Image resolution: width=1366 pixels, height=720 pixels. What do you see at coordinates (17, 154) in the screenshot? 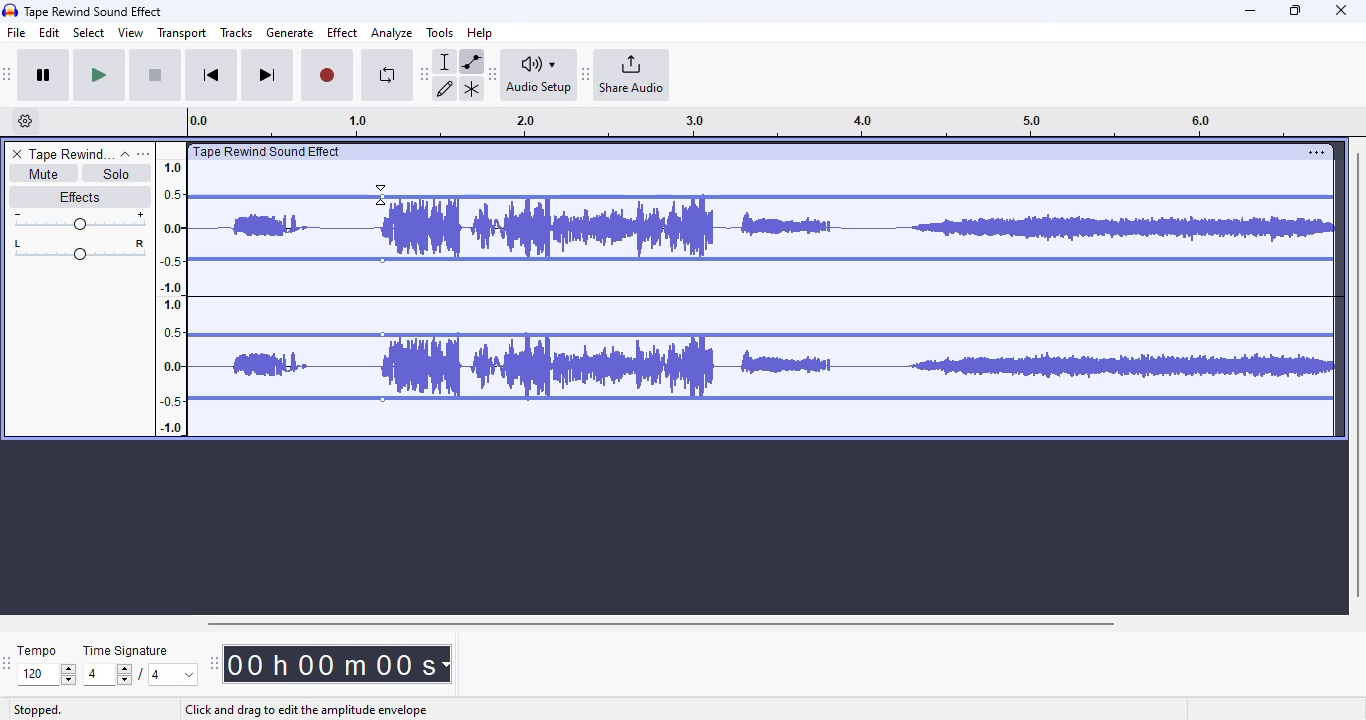
I see `delete track` at bounding box center [17, 154].